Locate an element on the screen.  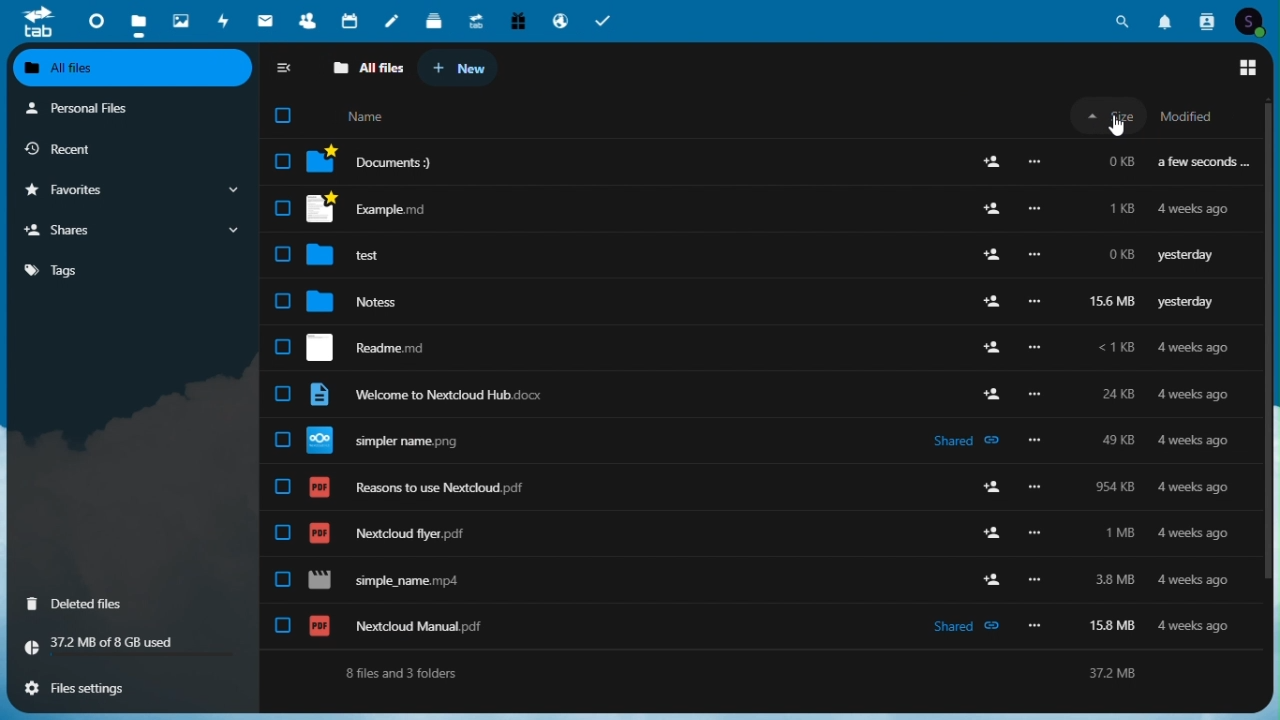
Activity is located at coordinates (225, 21).